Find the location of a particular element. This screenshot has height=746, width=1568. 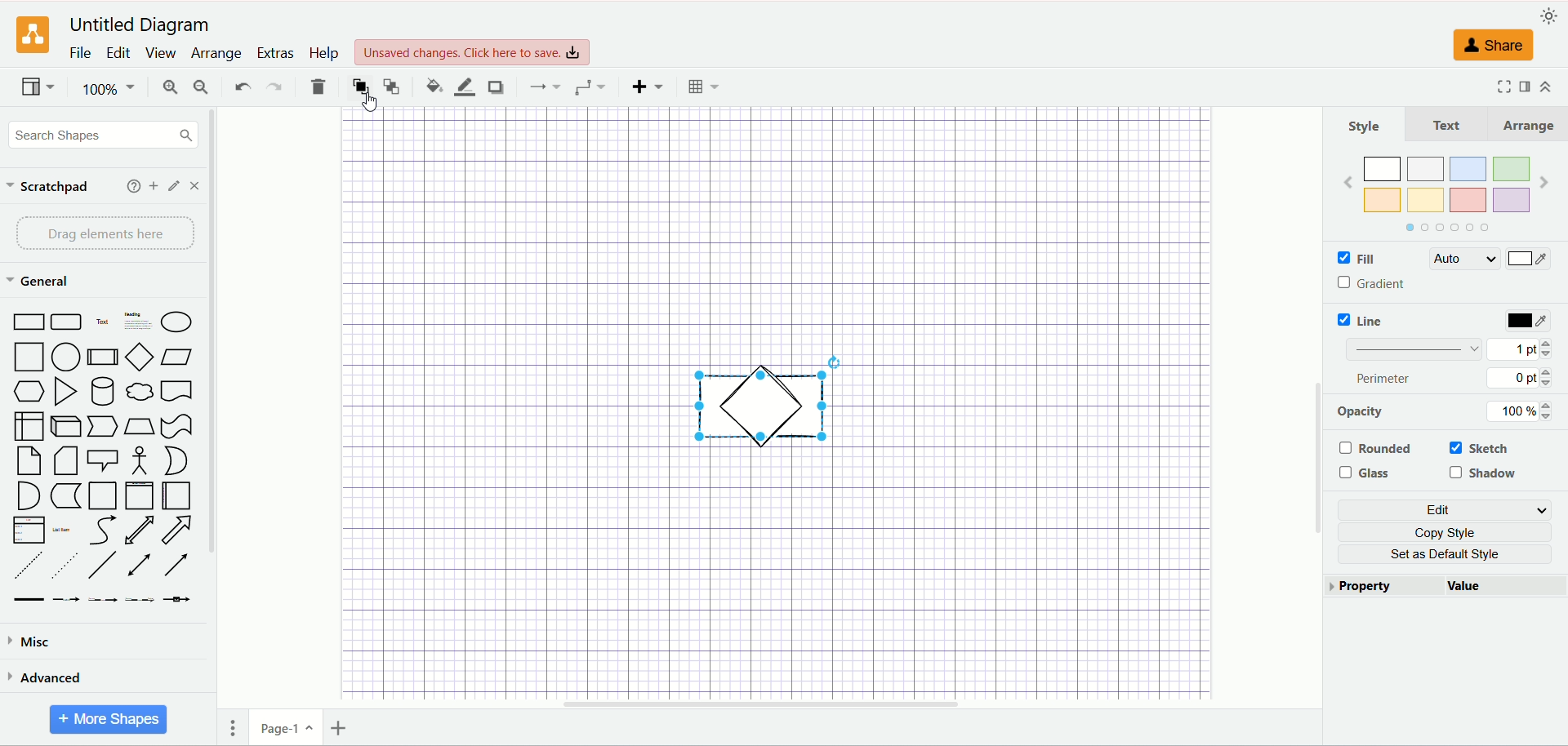

100% is located at coordinates (1517, 411).